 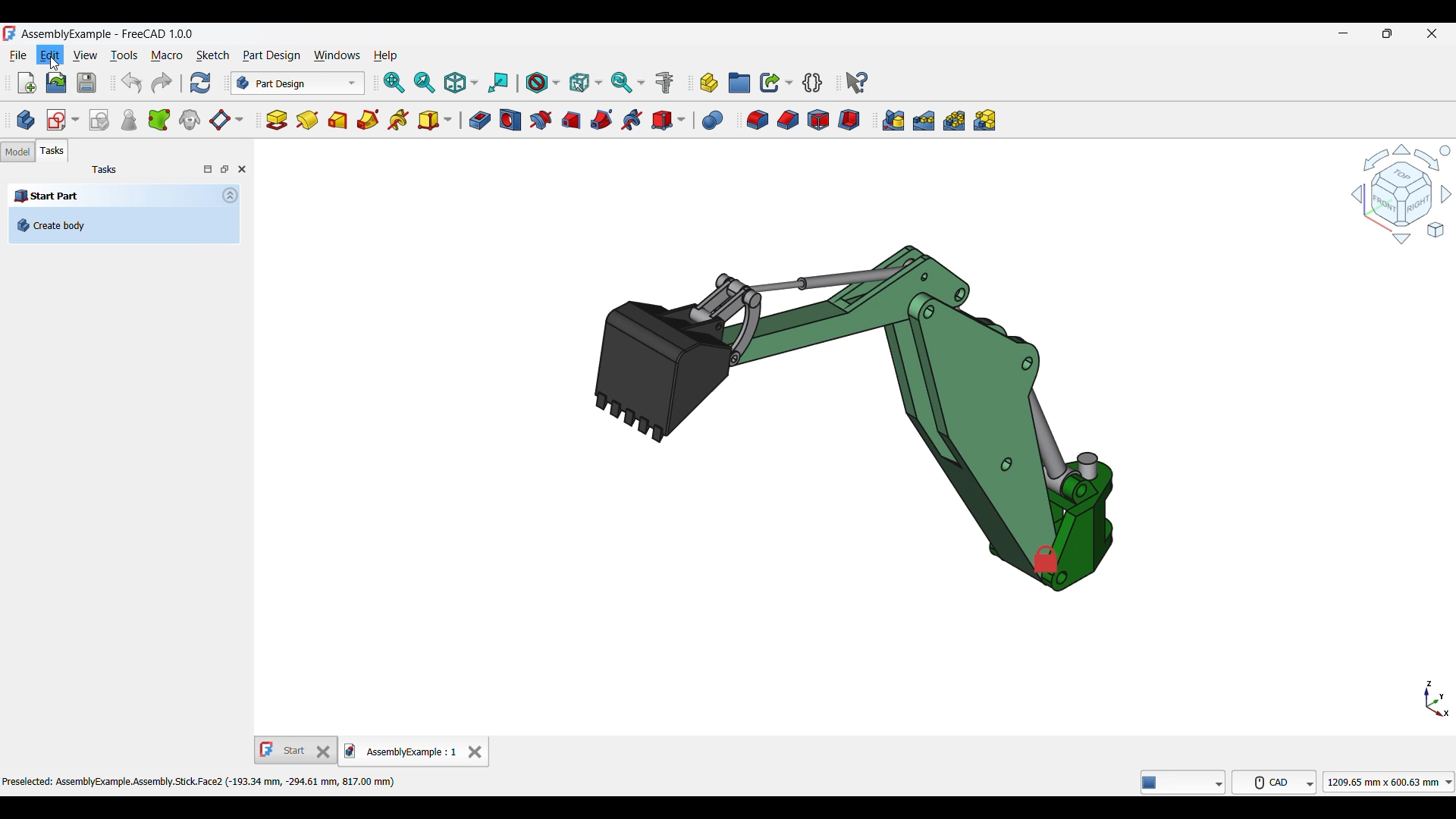 I want to click on Navigation, so click(x=1401, y=193).